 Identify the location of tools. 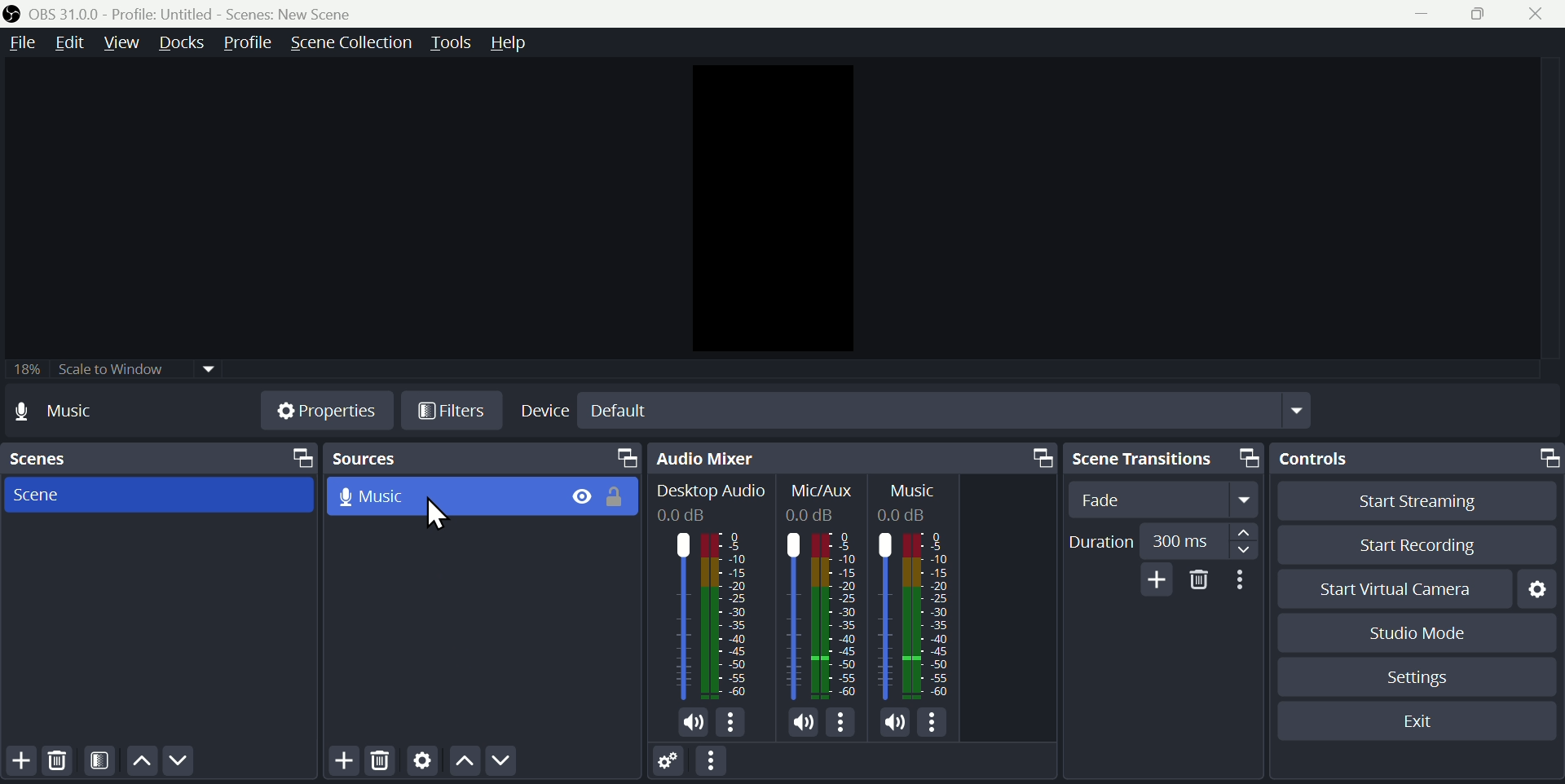
(454, 43).